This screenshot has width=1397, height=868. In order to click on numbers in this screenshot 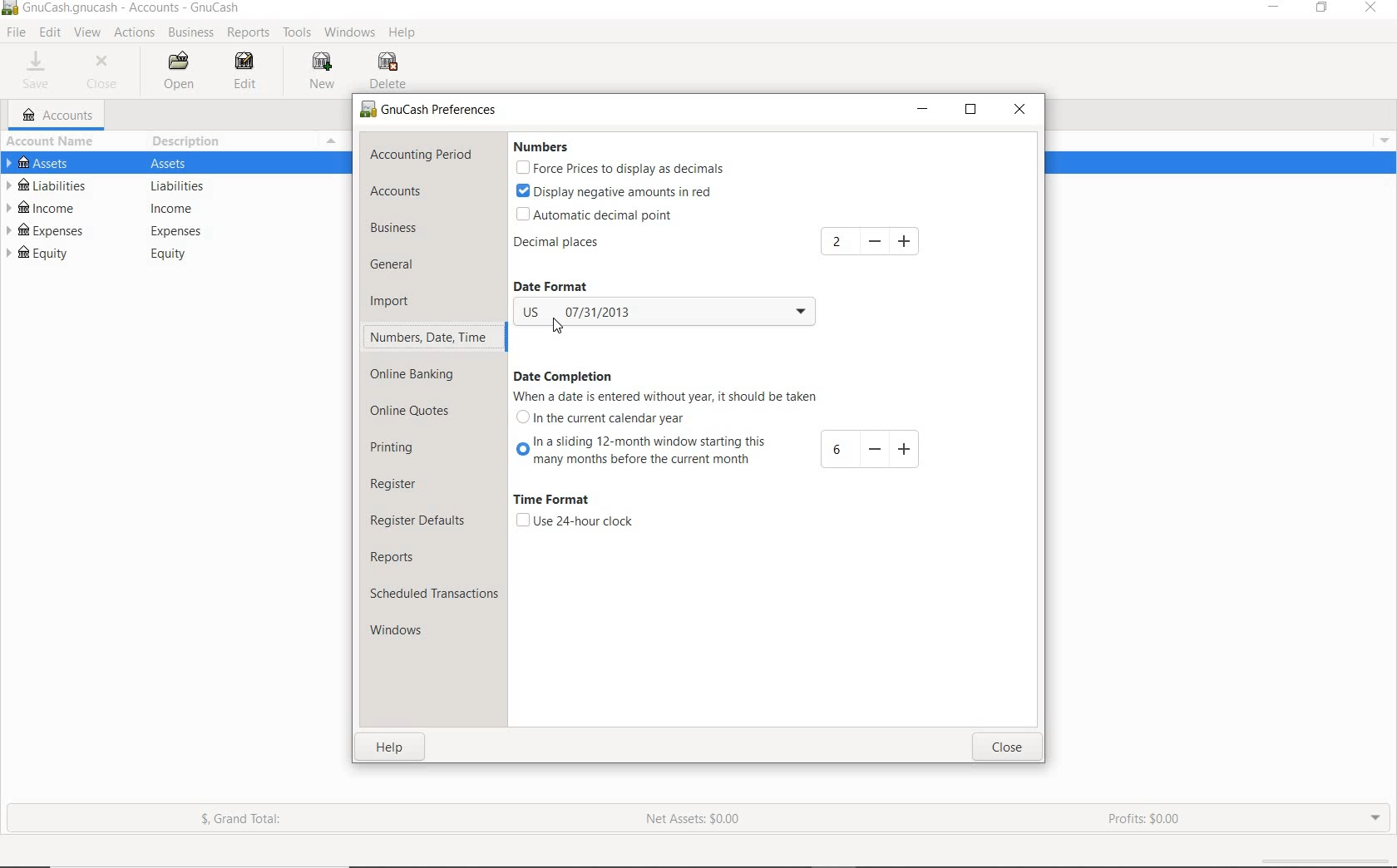, I will do `click(539, 147)`.